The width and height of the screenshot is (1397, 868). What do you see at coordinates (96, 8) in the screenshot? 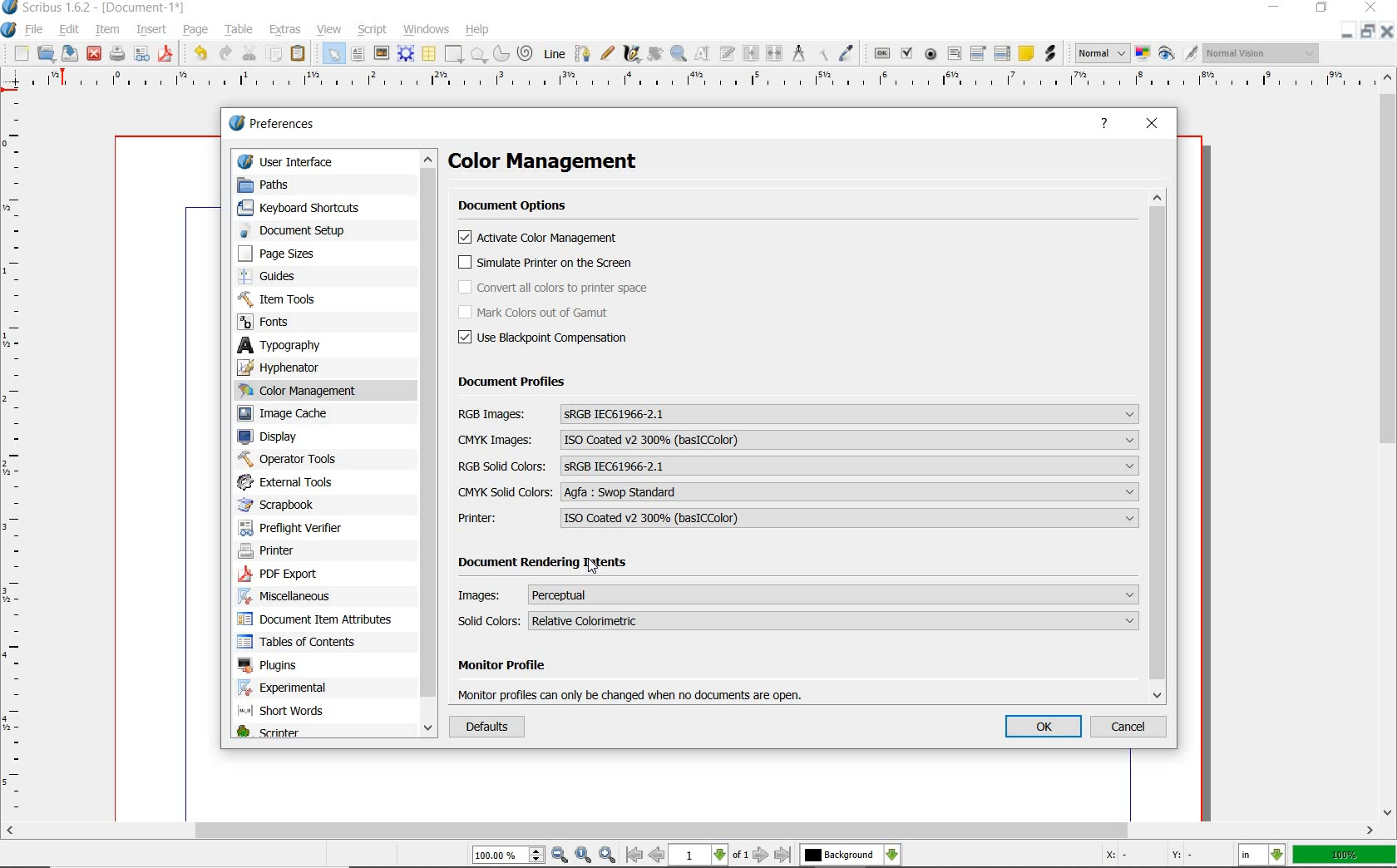
I see `scribus 1.6.2 - [document-1*]` at bounding box center [96, 8].